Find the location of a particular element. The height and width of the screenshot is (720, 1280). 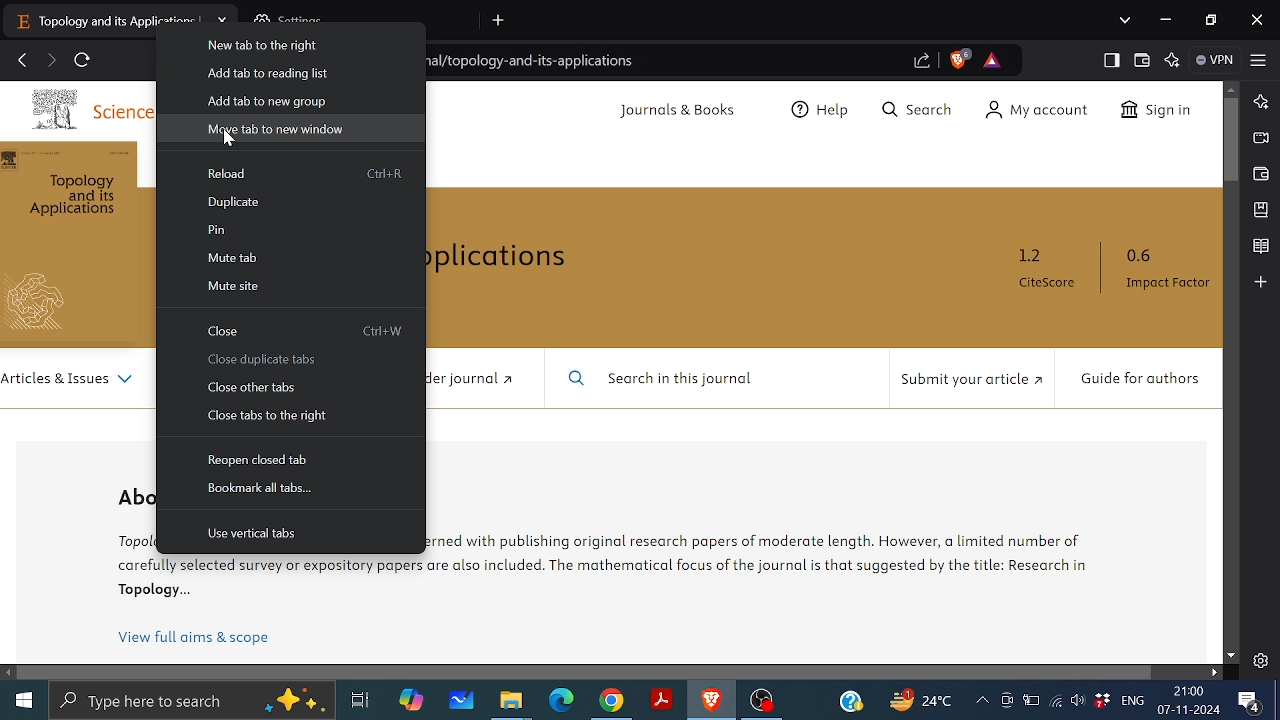

Show sidebar is located at coordinates (1112, 60).